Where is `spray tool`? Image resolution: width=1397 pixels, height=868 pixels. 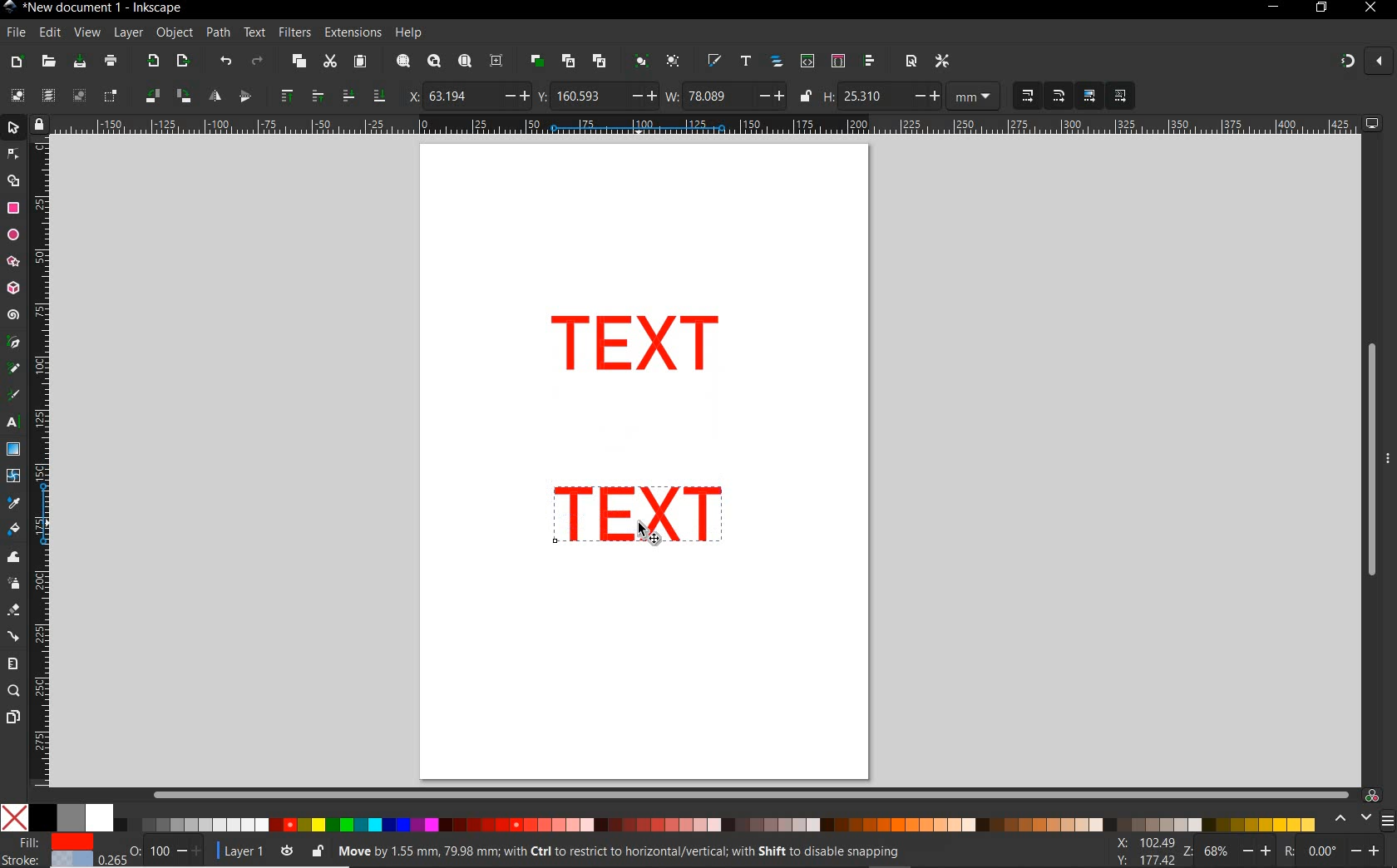 spray tool is located at coordinates (13, 583).